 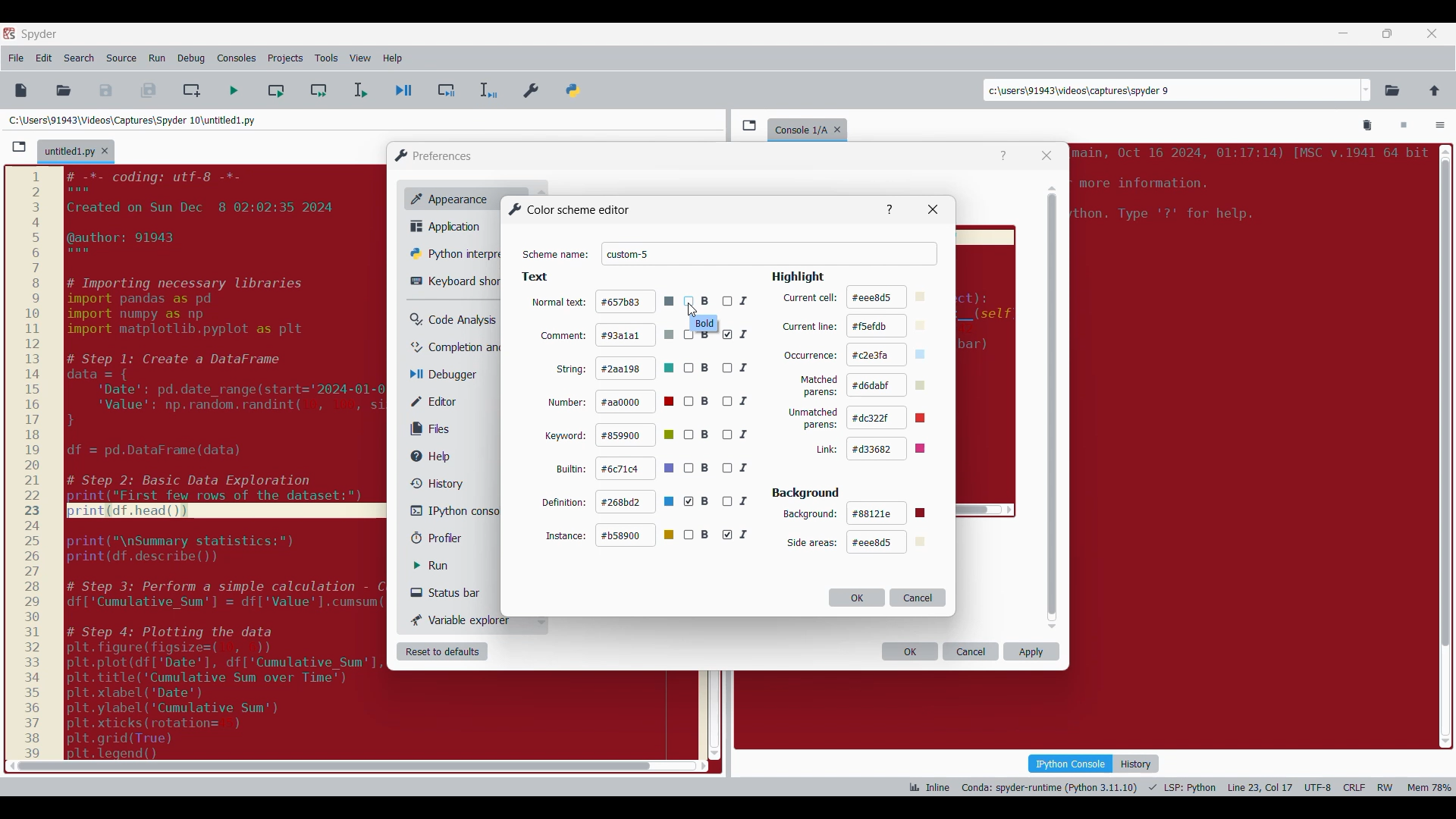 What do you see at coordinates (806, 493) in the screenshot?
I see `Section title` at bounding box center [806, 493].